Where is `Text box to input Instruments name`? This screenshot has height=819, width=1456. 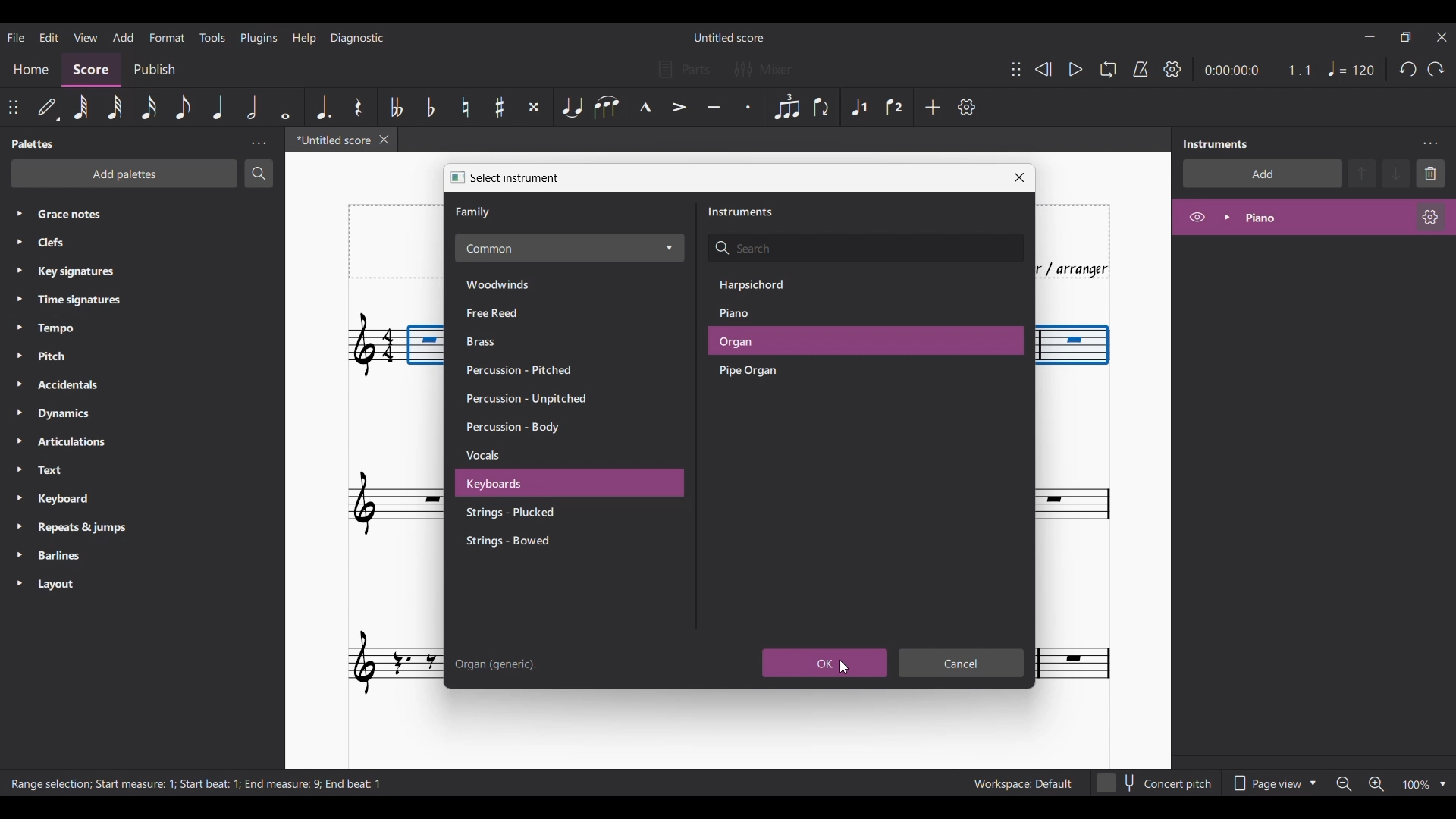
Text box to input Instruments name is located at coordinates (865, 249).